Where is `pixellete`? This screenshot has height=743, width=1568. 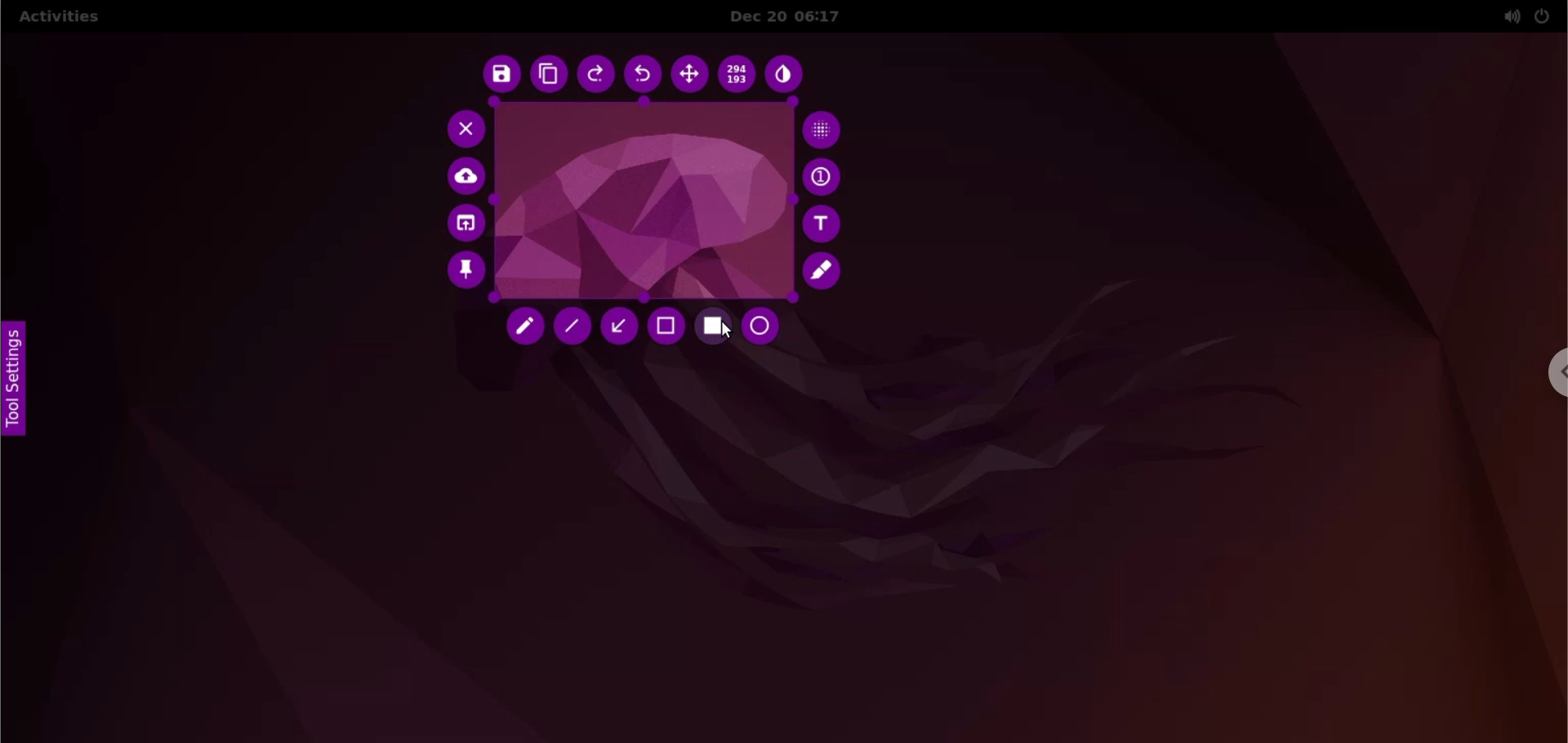
pixellete is located at coordinates (822, 128).